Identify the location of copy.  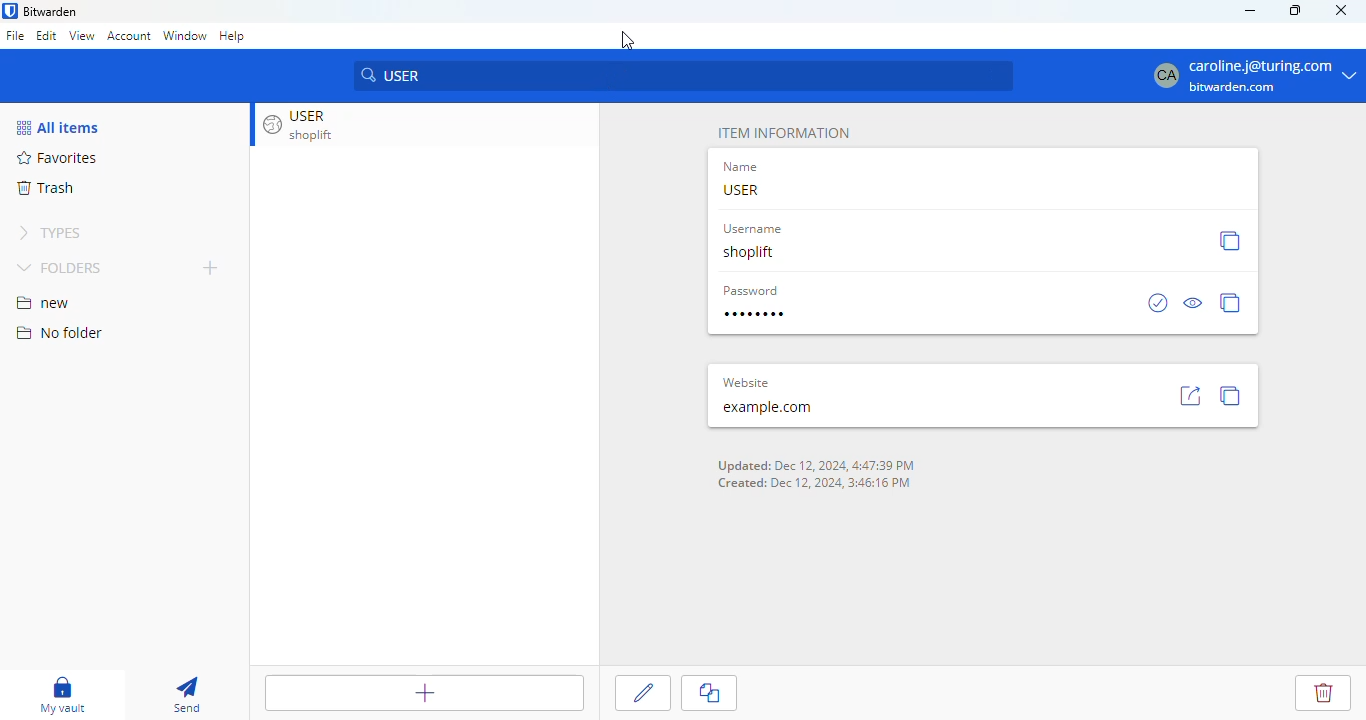
(1230, 304).